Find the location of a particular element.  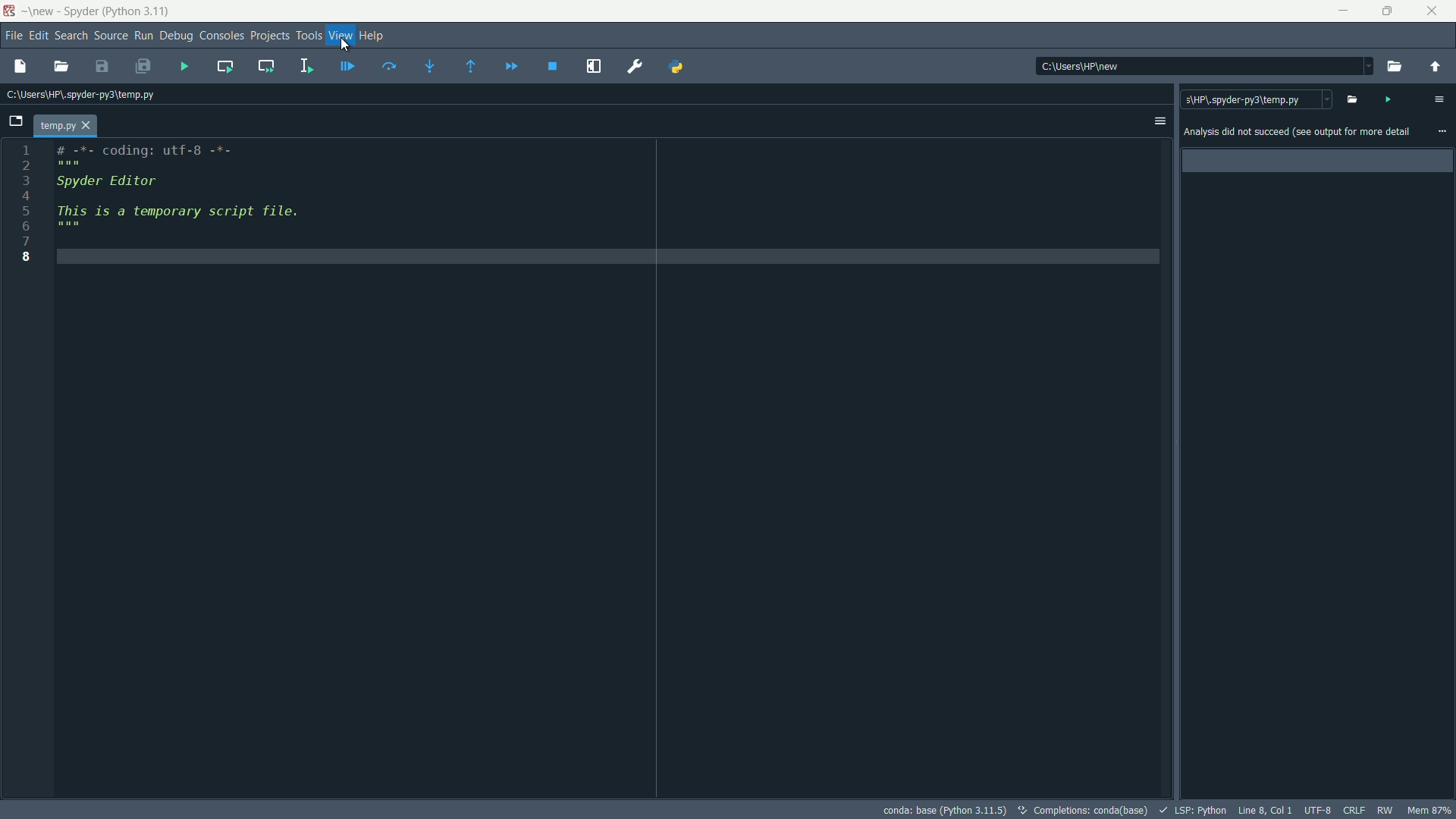

open file is located at coordinates (62, 67).